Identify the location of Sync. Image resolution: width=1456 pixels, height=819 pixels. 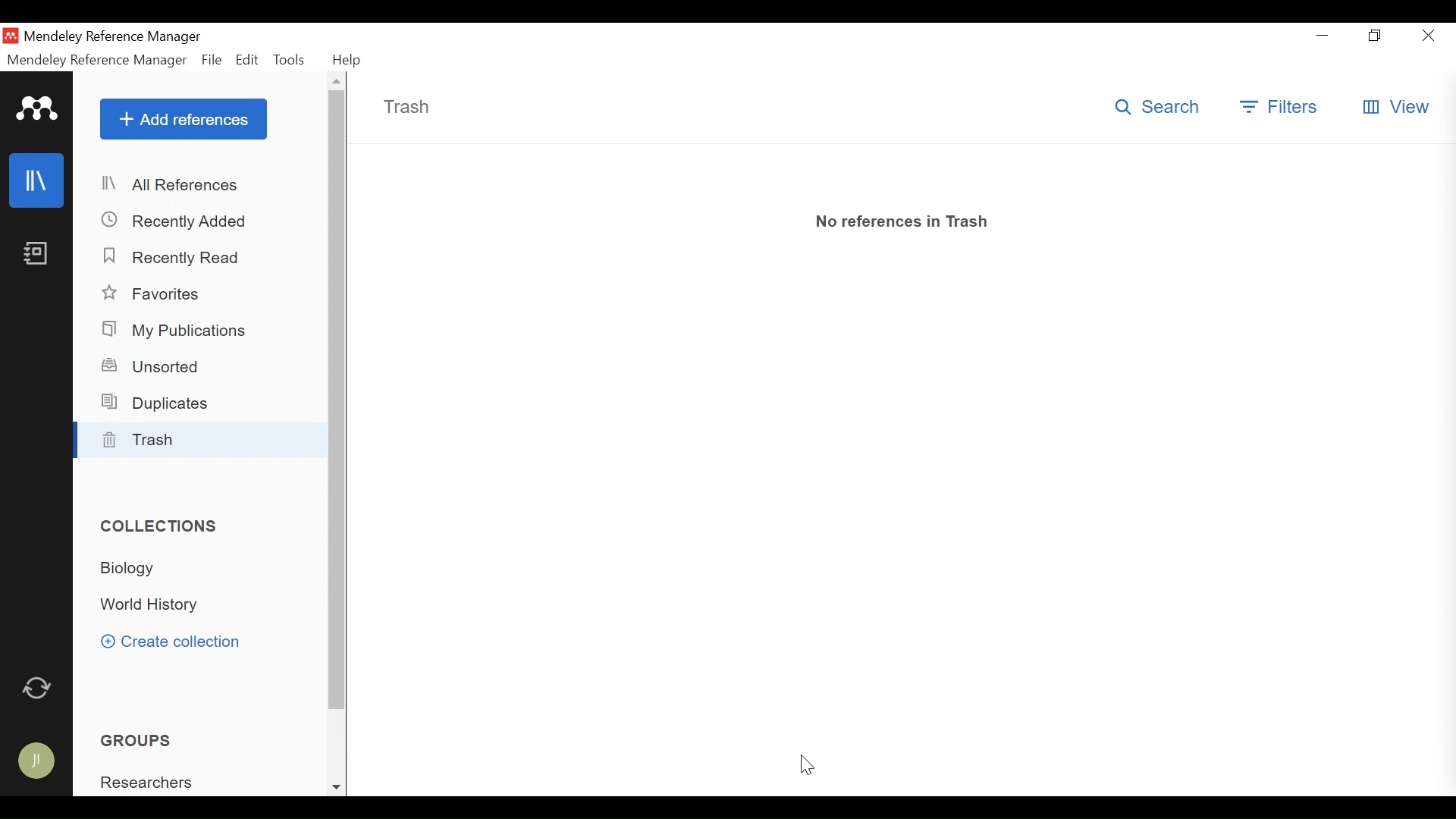
(39, 688).